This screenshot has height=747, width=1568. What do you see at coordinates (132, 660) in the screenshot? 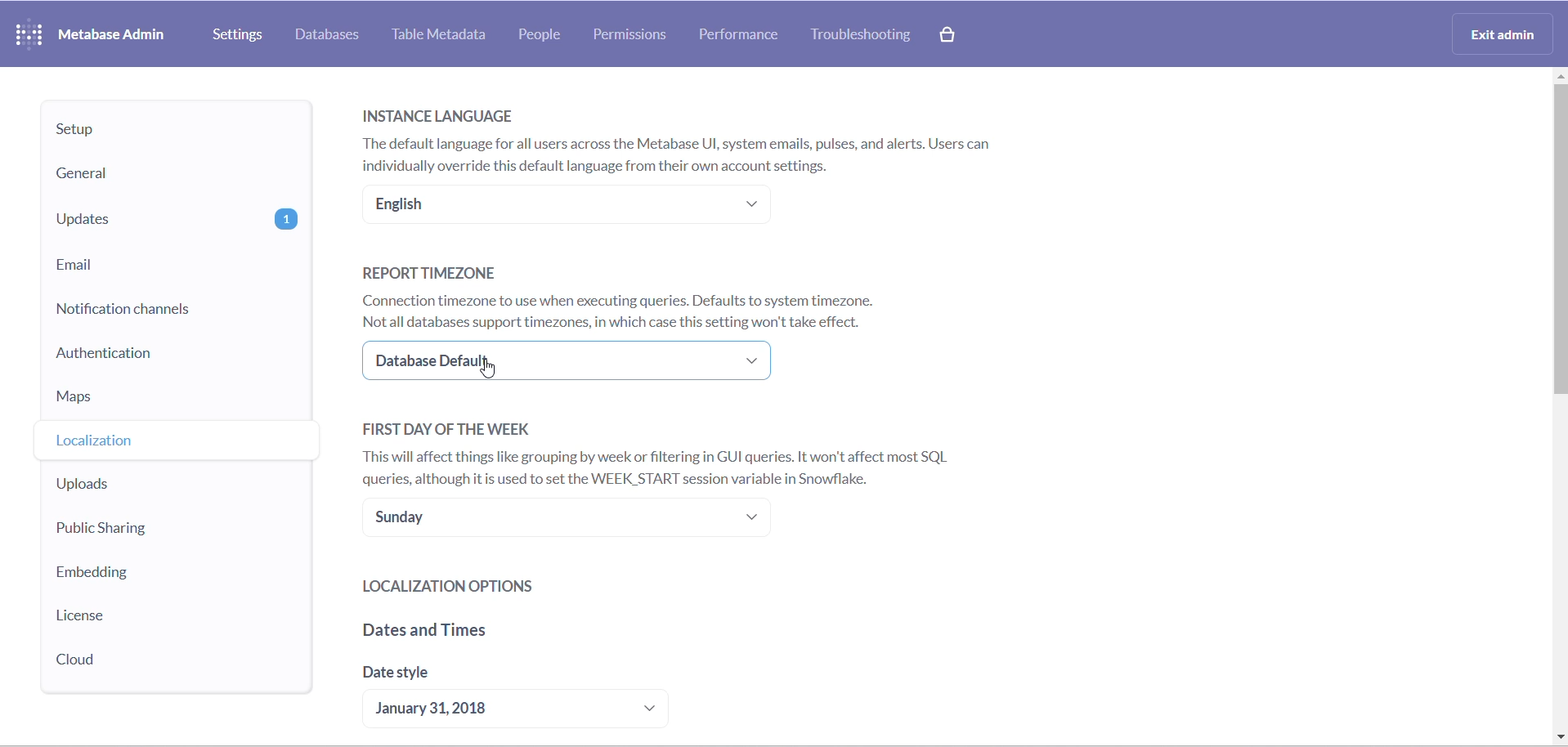
I see `CLOUD` at bounding box center [132, 660].